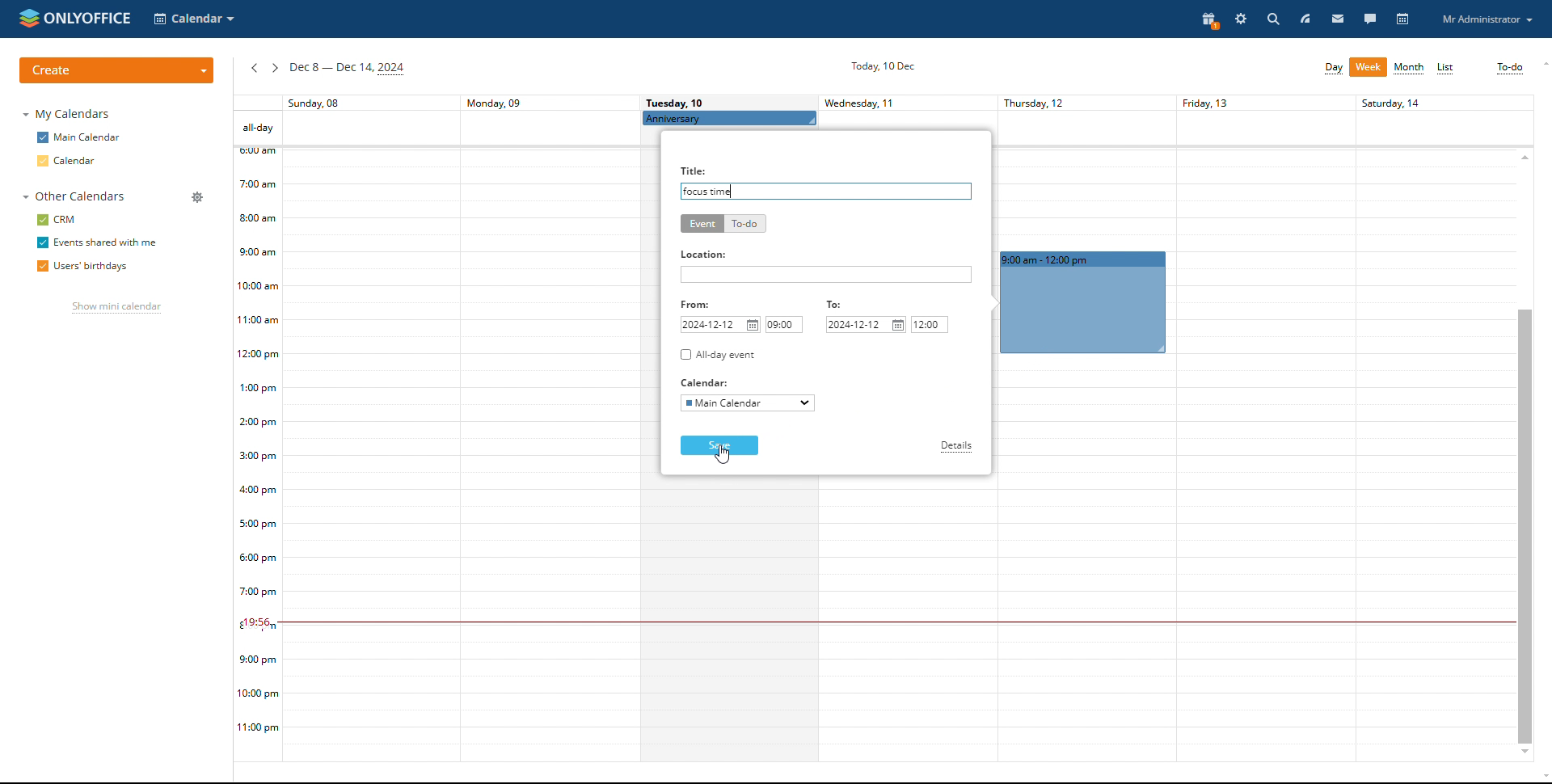  I want to click on feed, so click(1305, 18).